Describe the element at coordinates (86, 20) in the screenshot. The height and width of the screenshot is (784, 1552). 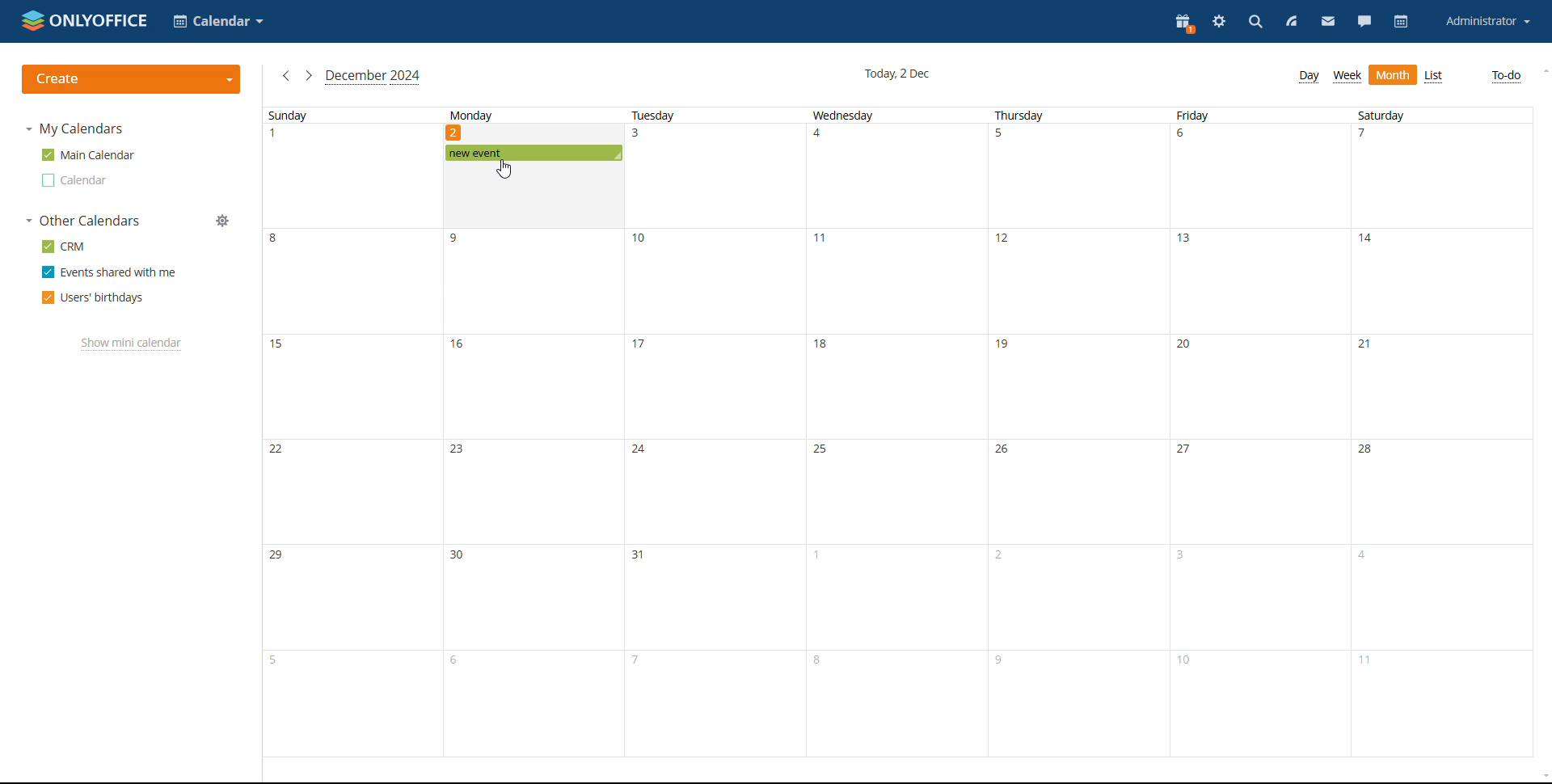
I see `logo` at that location.